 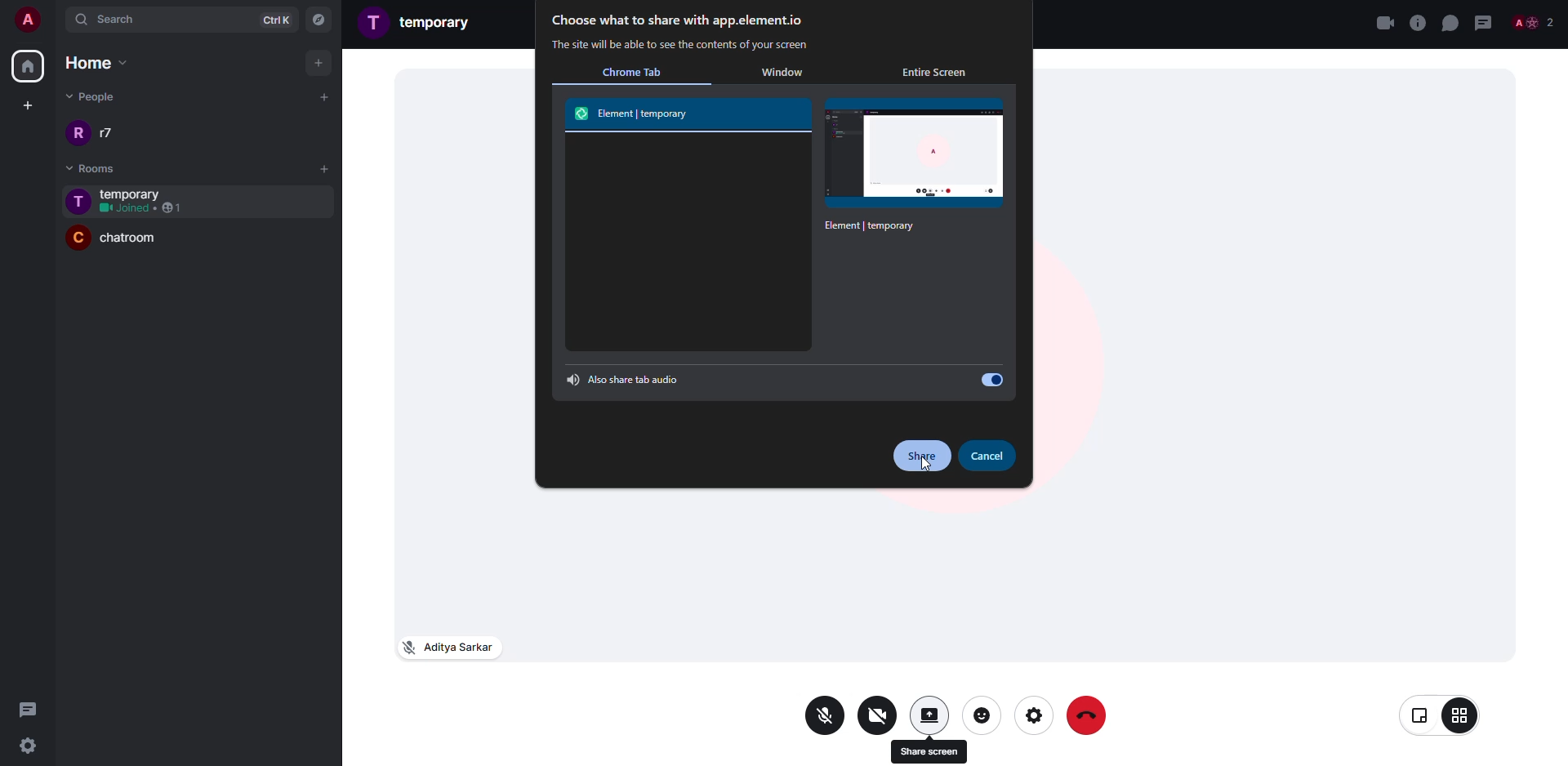 What do you see at coordinates (34, 745) in the screenshot?
I see `settings` at bounding box center [34, 745].